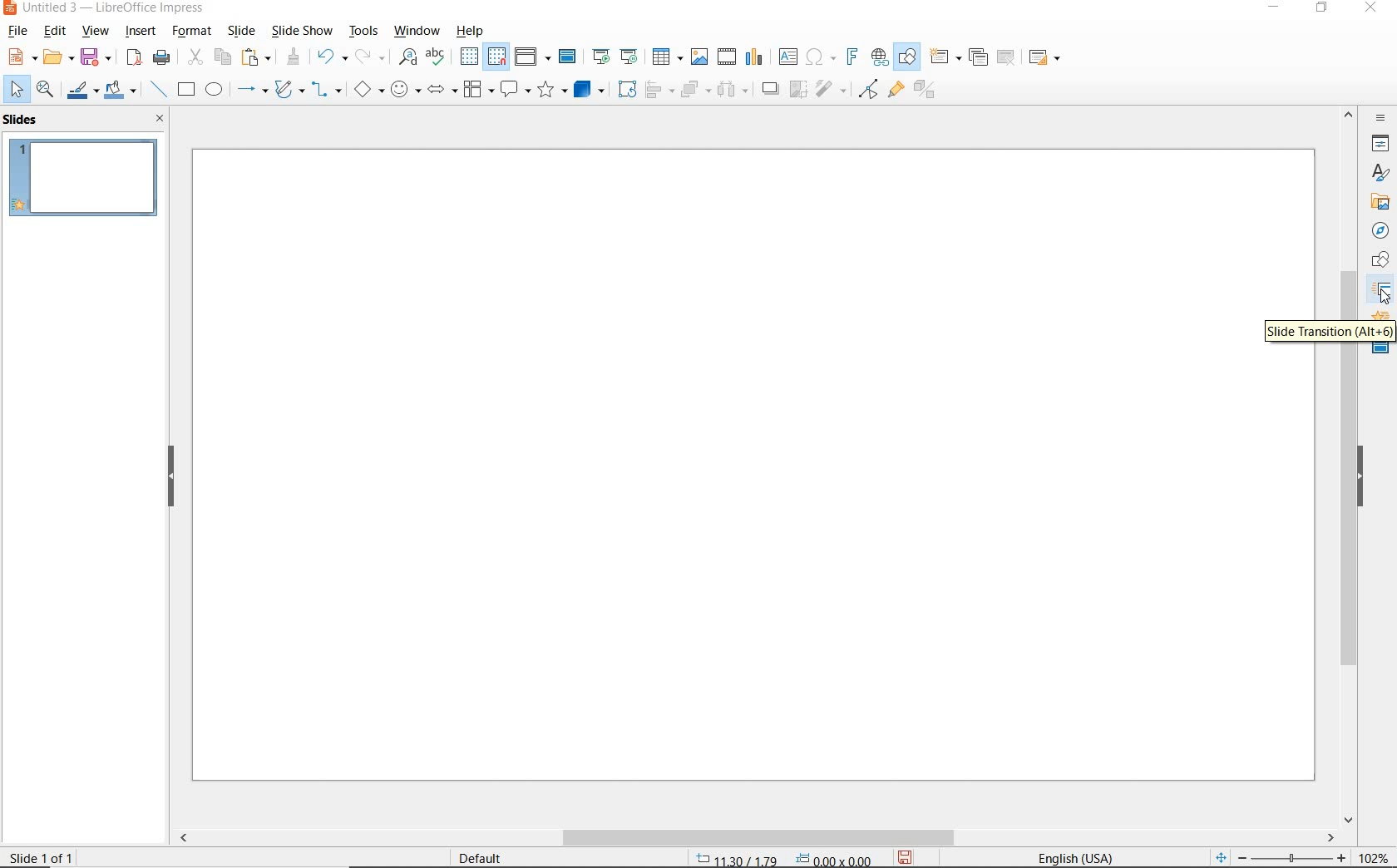  Describe the element at coordinates (106, 9) in the screenshot. I see `FILE NAME` at that location.